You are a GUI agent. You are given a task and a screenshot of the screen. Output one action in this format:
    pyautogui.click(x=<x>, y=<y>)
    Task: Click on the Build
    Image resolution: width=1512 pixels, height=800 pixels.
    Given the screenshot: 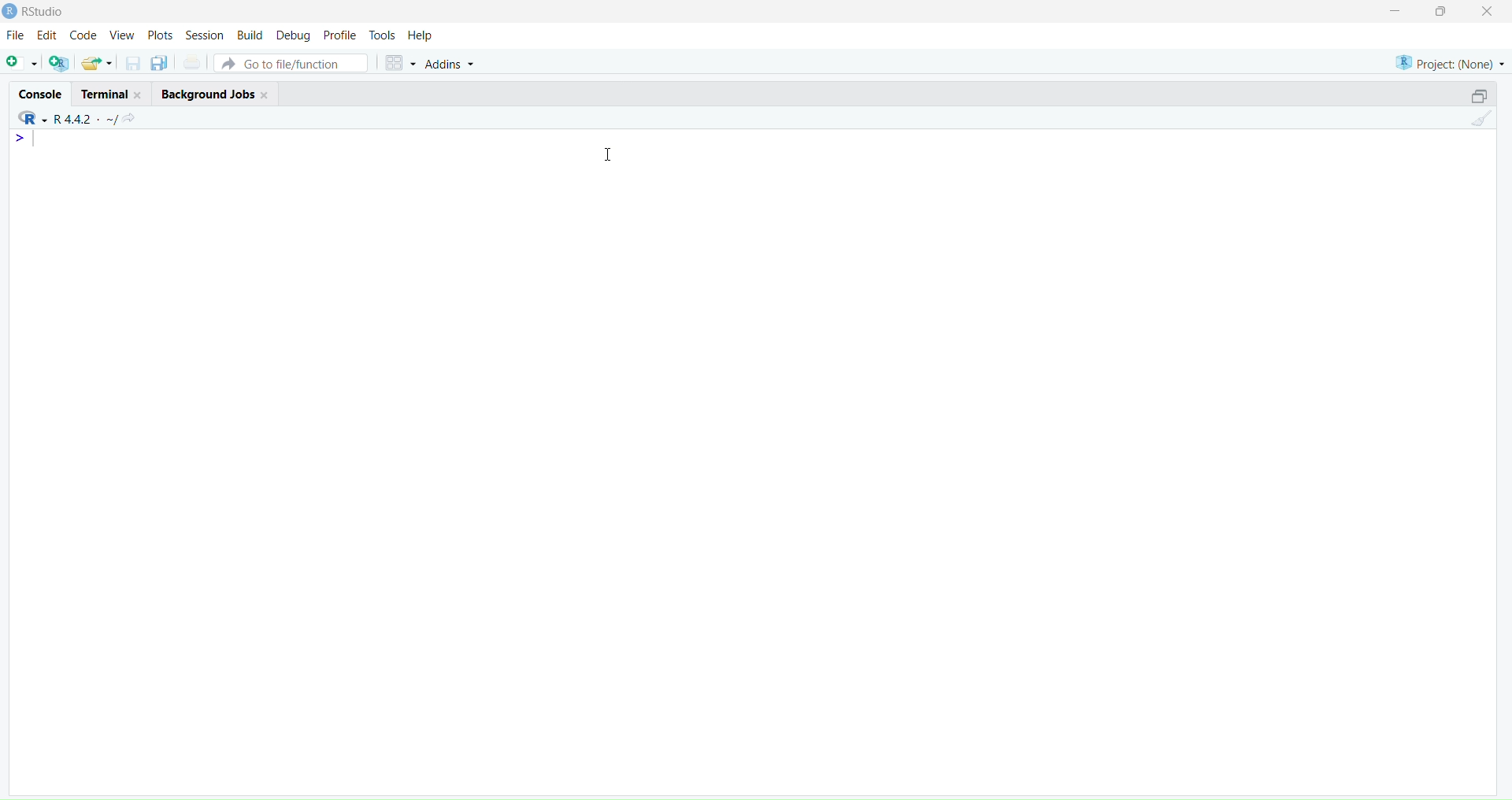 What is the action you would take?
    pyautogui.click(x=249, y=35)
    